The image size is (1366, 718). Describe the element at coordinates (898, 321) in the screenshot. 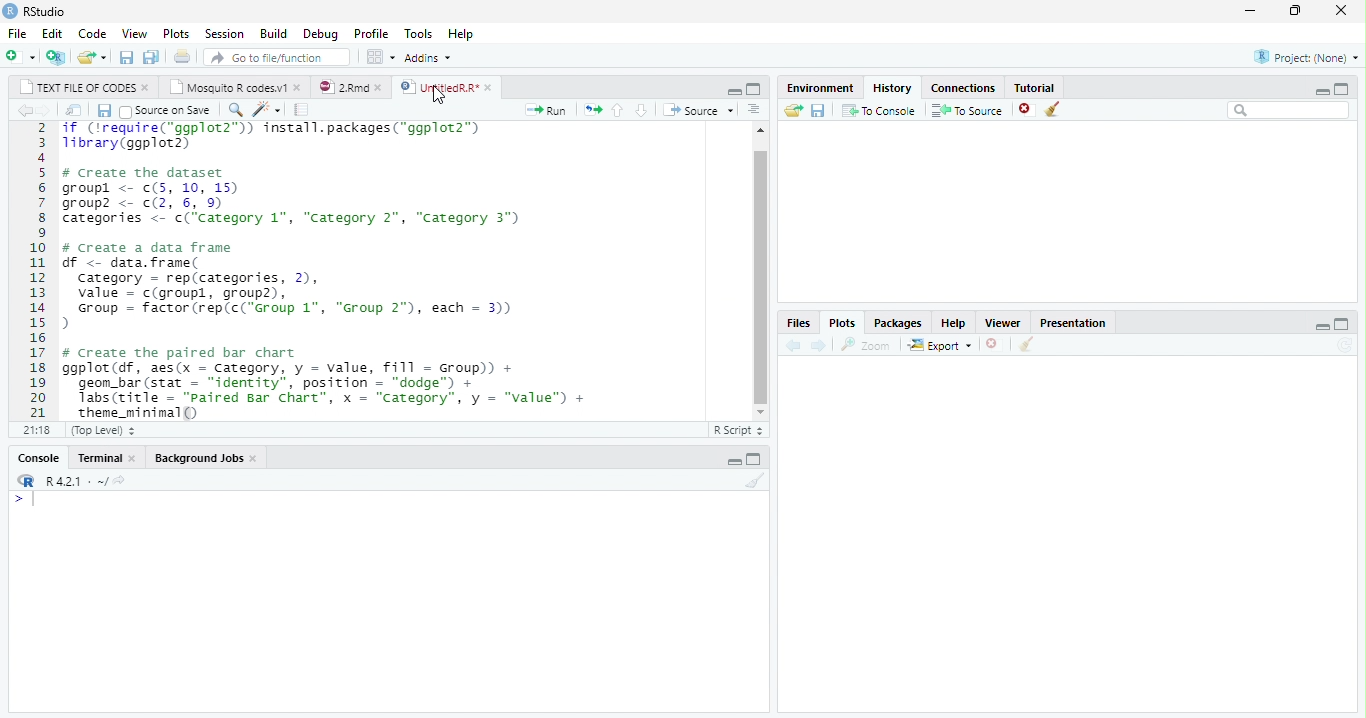

I see `packages` at that location.